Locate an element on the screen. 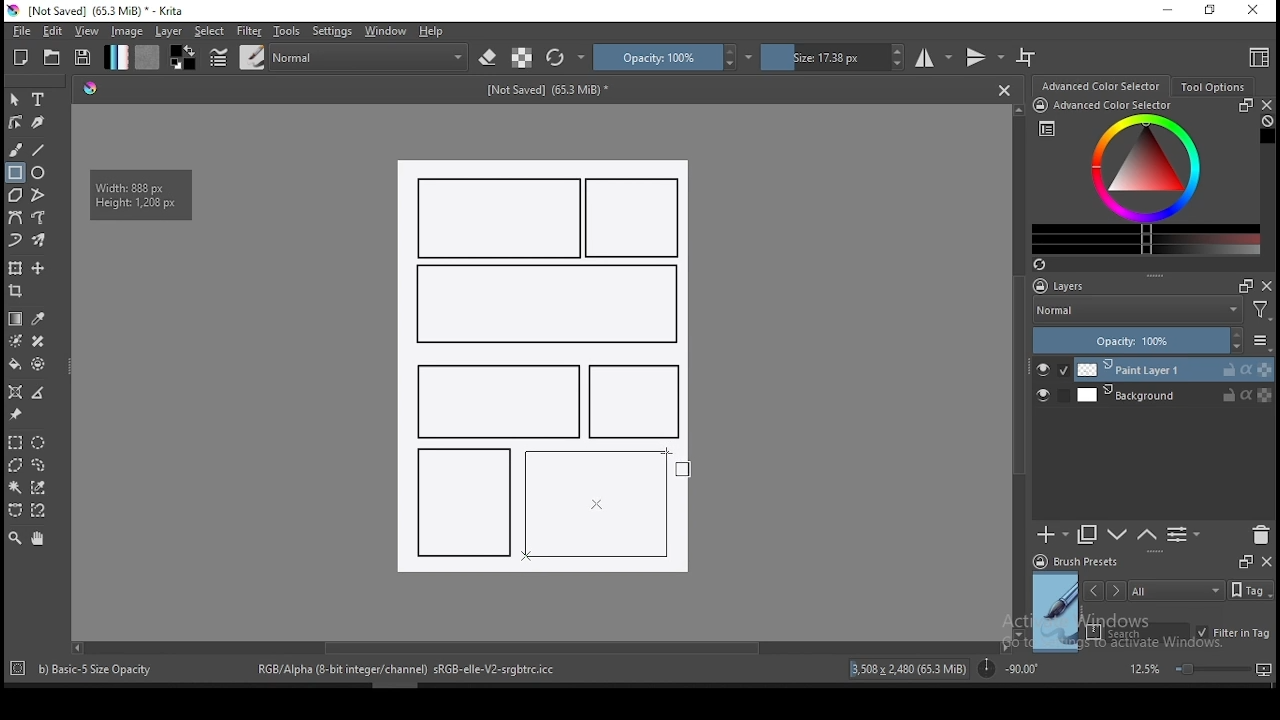 The image size is (1280, 720). move a layer is located at coordinates (38, 269).